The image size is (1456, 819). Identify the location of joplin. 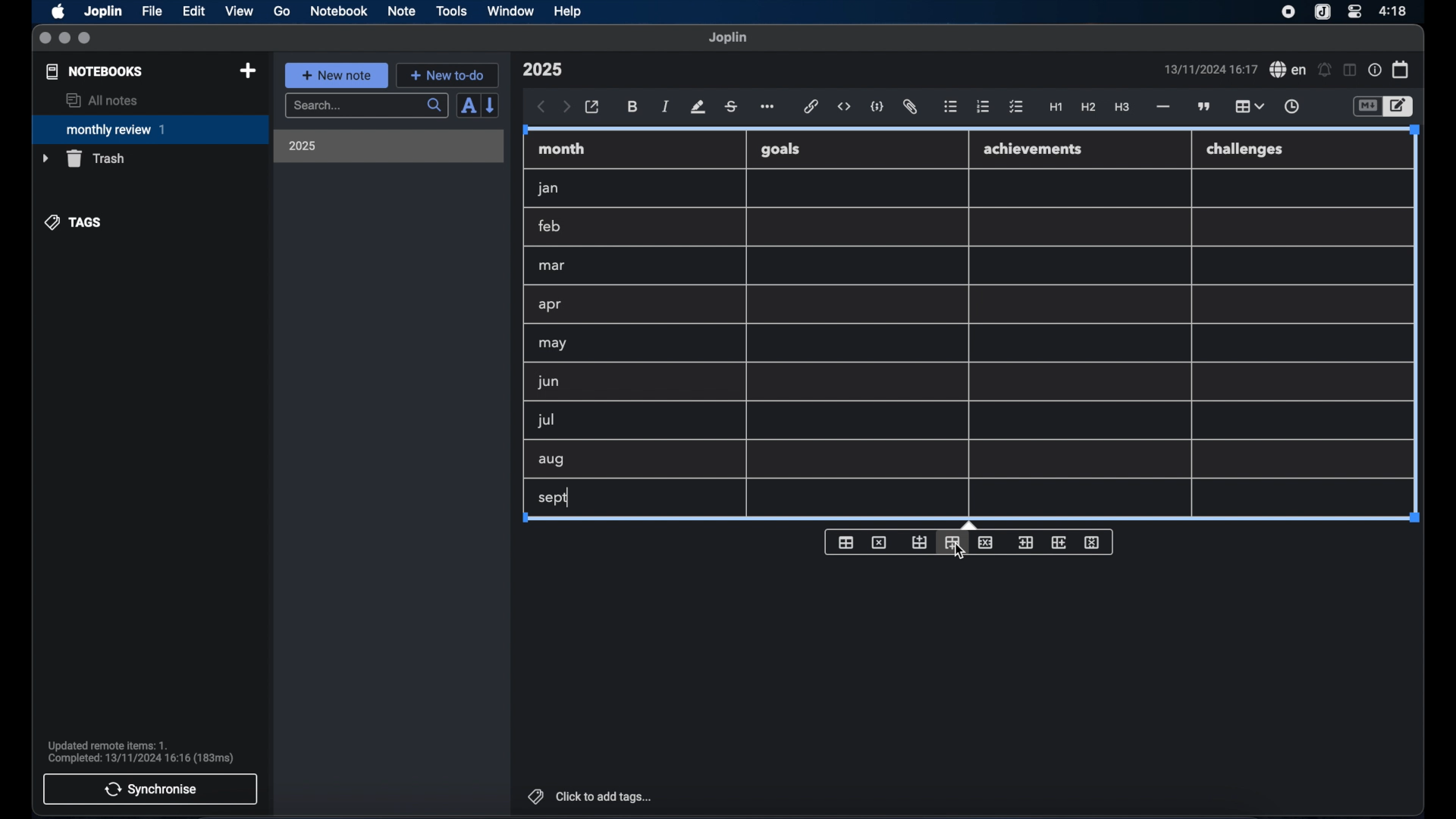
(728, 37).